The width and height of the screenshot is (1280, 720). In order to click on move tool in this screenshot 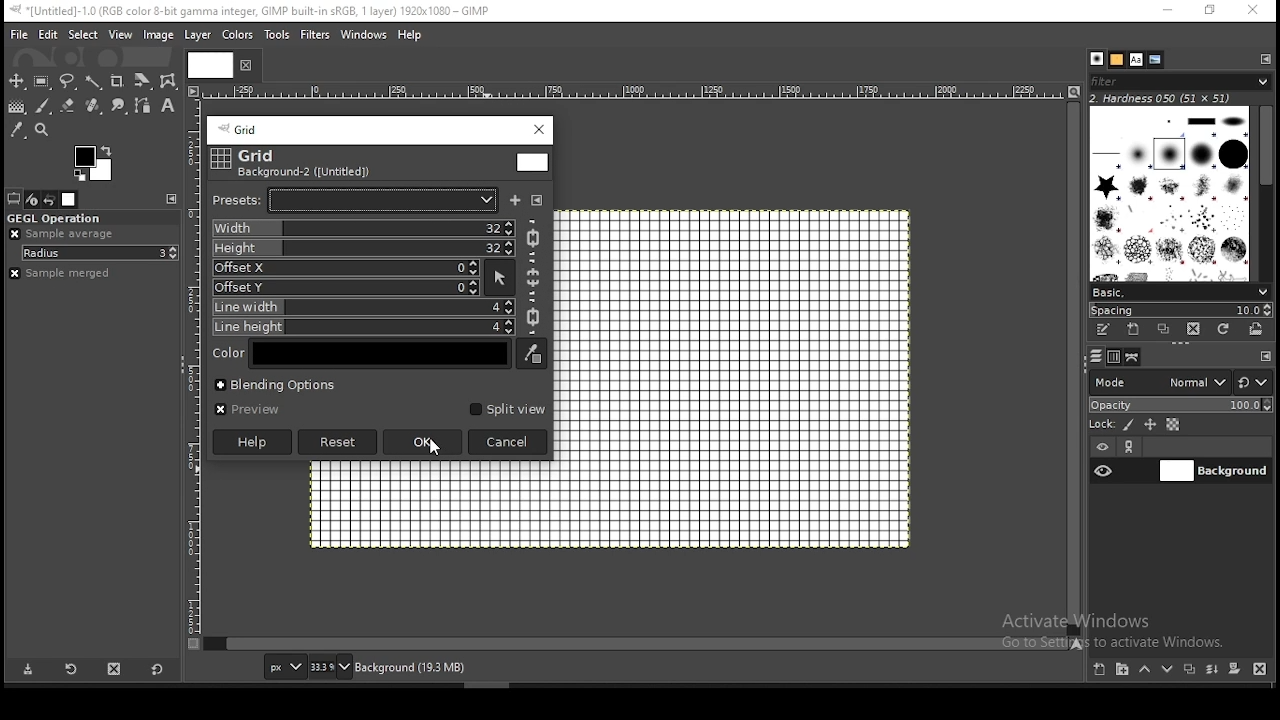, I will do `click(16, 80)`.